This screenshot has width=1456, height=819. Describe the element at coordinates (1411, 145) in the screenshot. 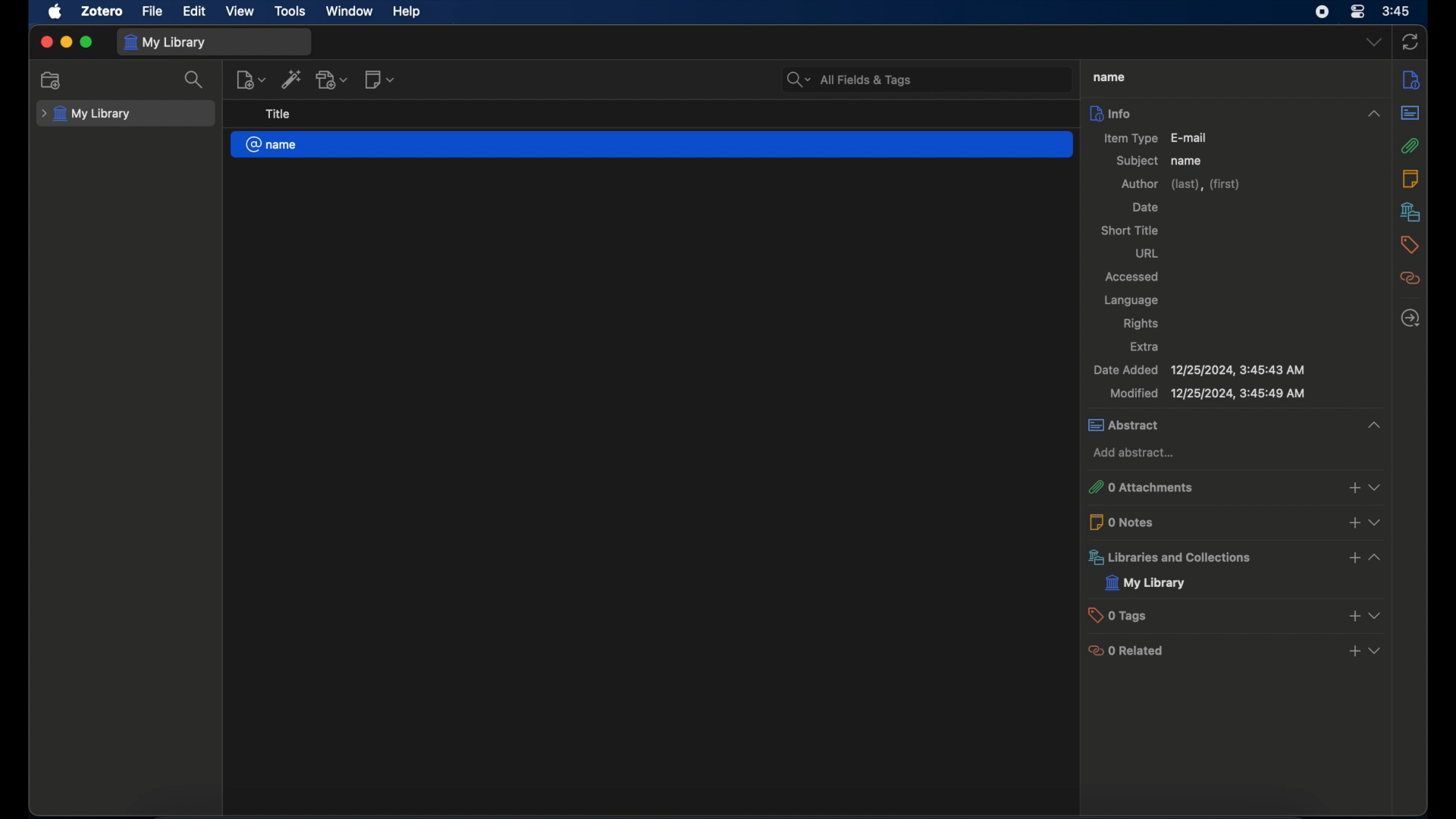

I see `attachments` at that location.